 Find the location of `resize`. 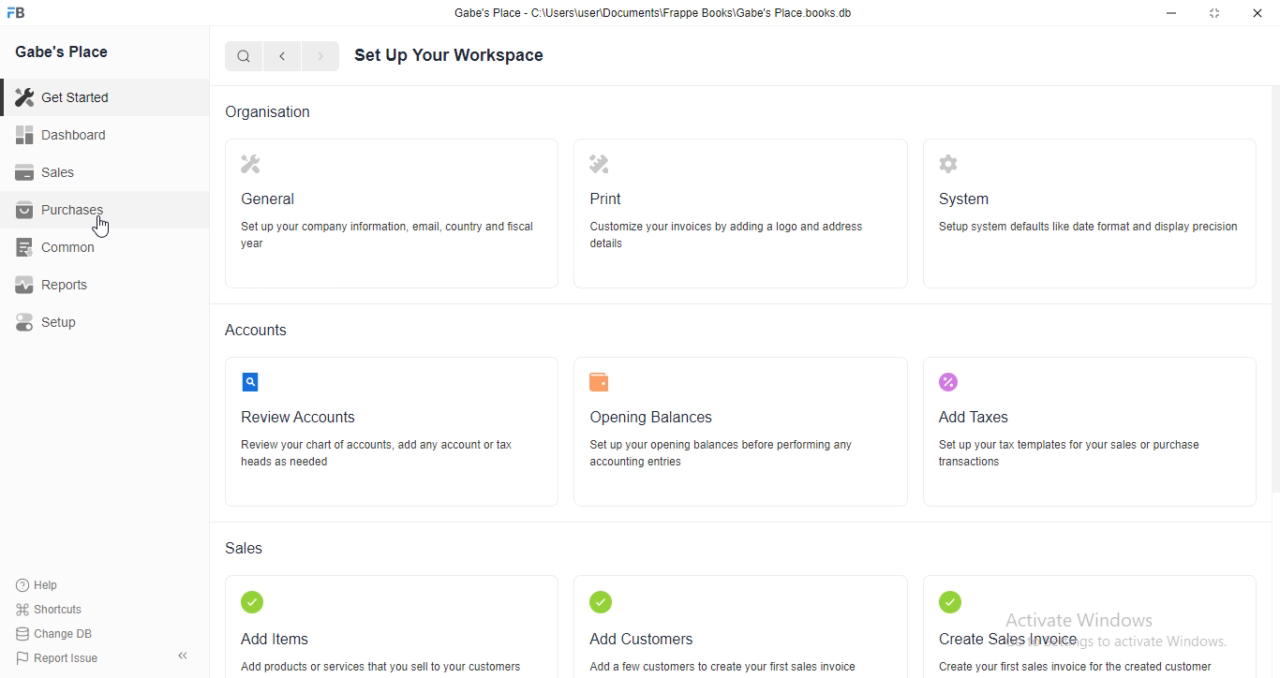

resize is located at coordinates (1213, 13).